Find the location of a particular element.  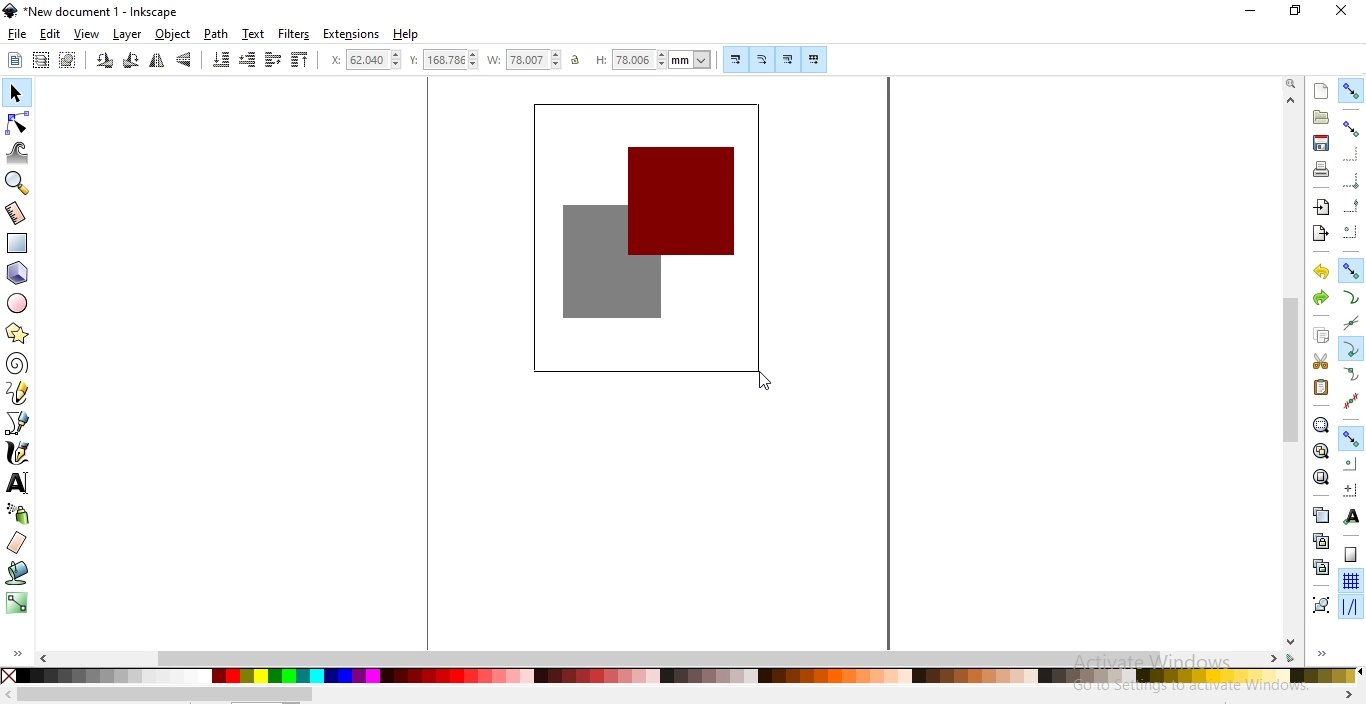

tweak objects by sculpting or painting is located at coordinates (20, 153).